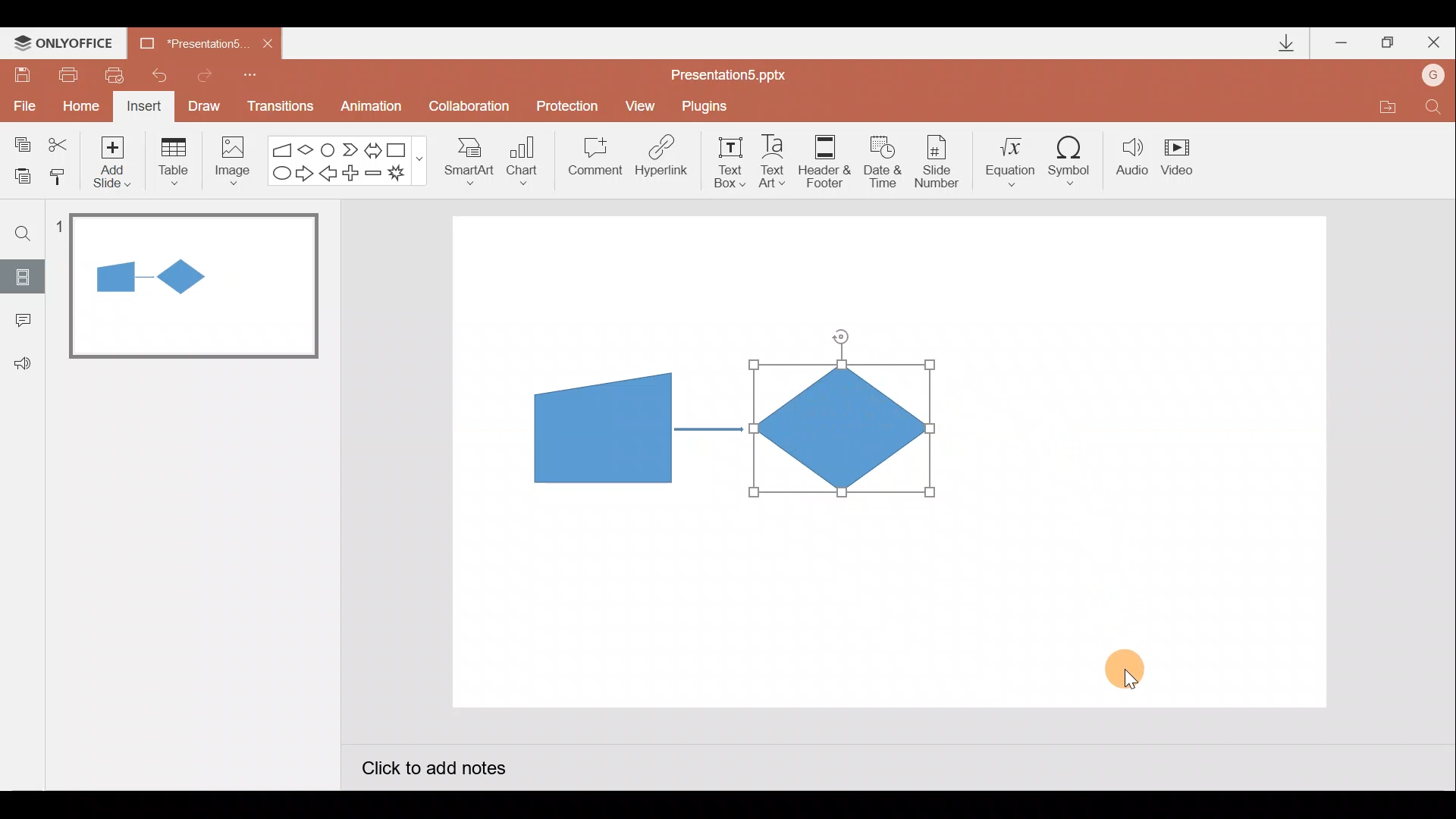 The width and height of the screenshot is (1456, 819). What do you see at coordinates (61, 142) in the screenshot?
I see `Cut` at bounding box center [61, 142].